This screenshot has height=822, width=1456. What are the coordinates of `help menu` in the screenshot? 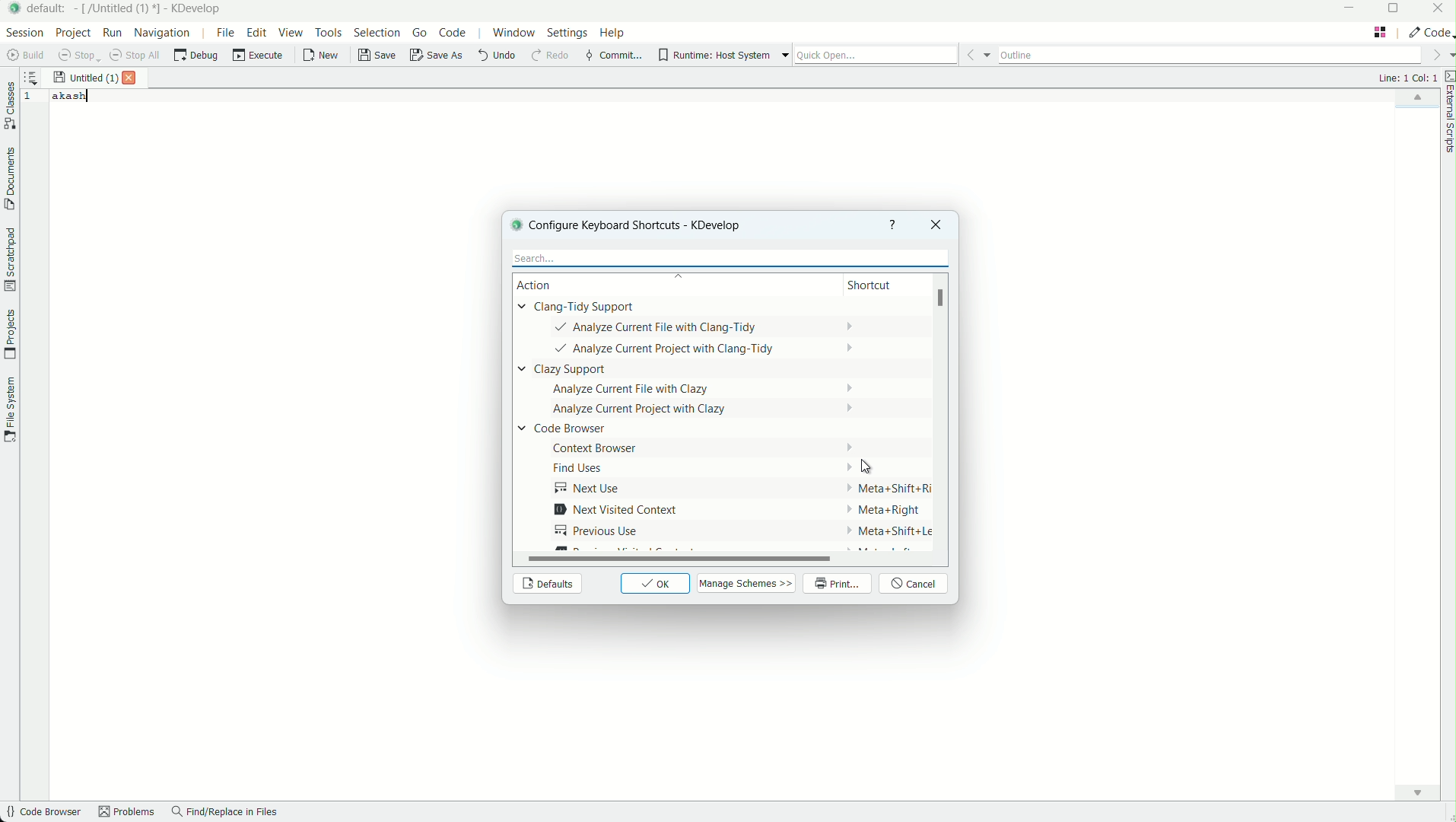 It's located at (614, 34).